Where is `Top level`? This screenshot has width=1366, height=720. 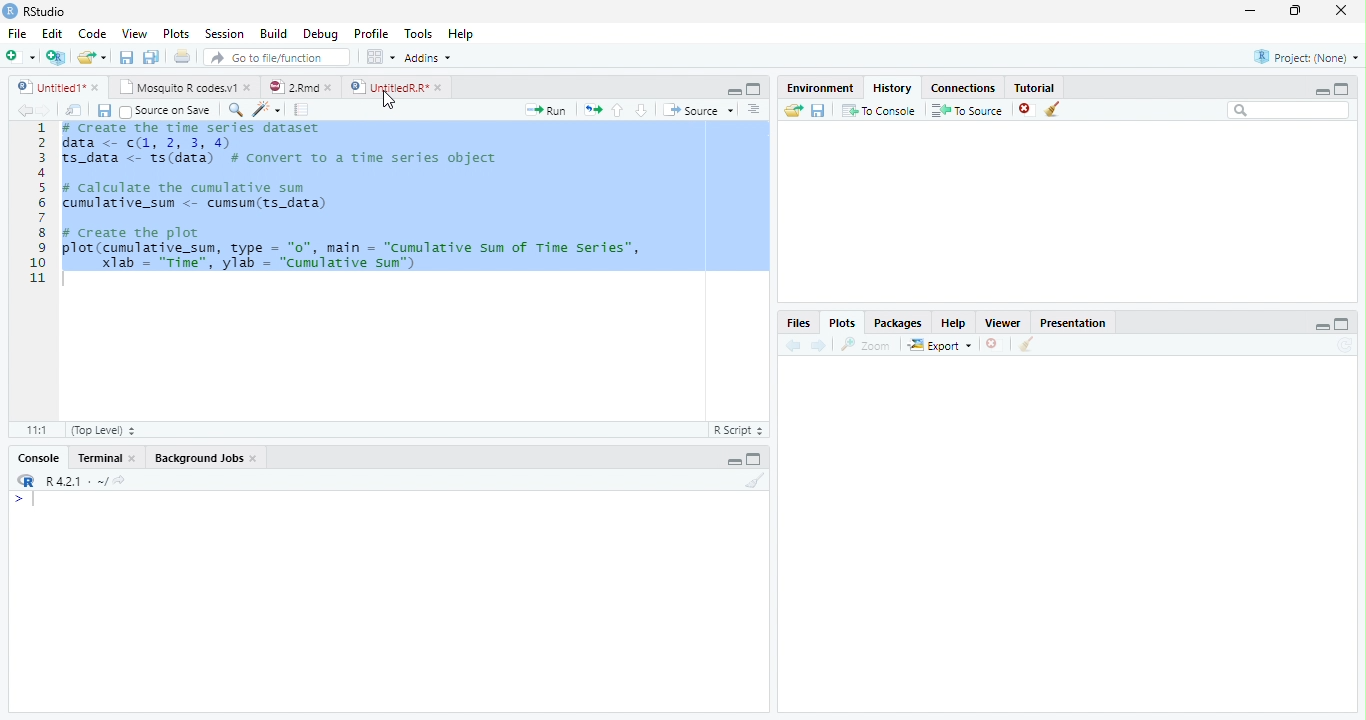
Top level is located at coordinates (104, 431).